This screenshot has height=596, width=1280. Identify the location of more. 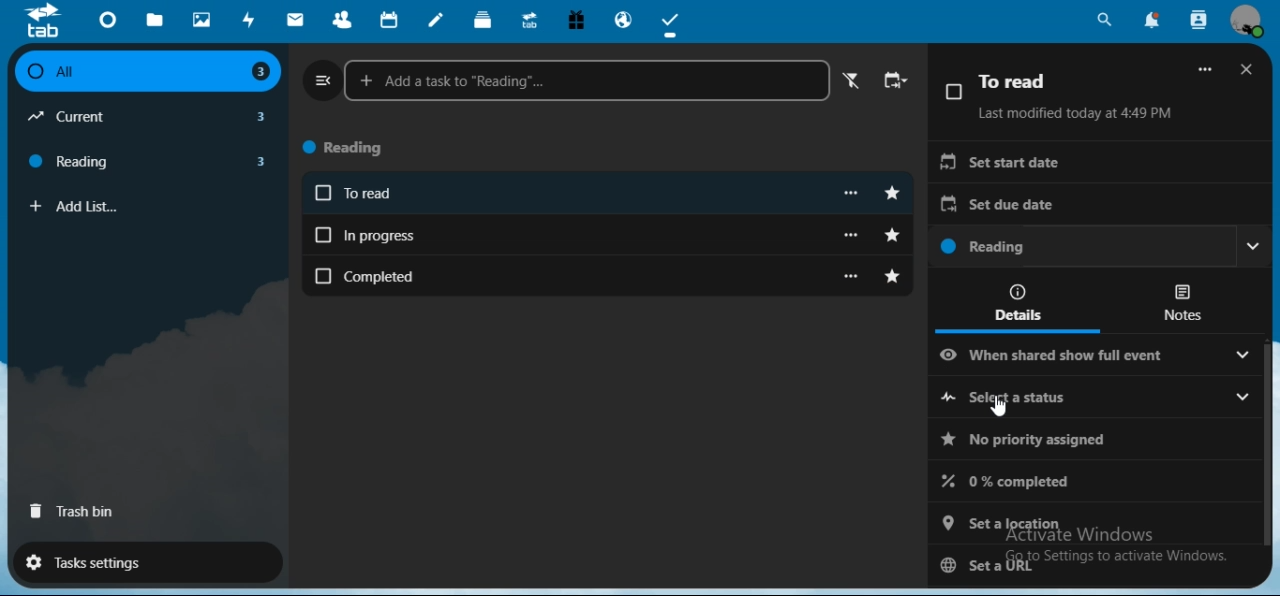
(855, 275).